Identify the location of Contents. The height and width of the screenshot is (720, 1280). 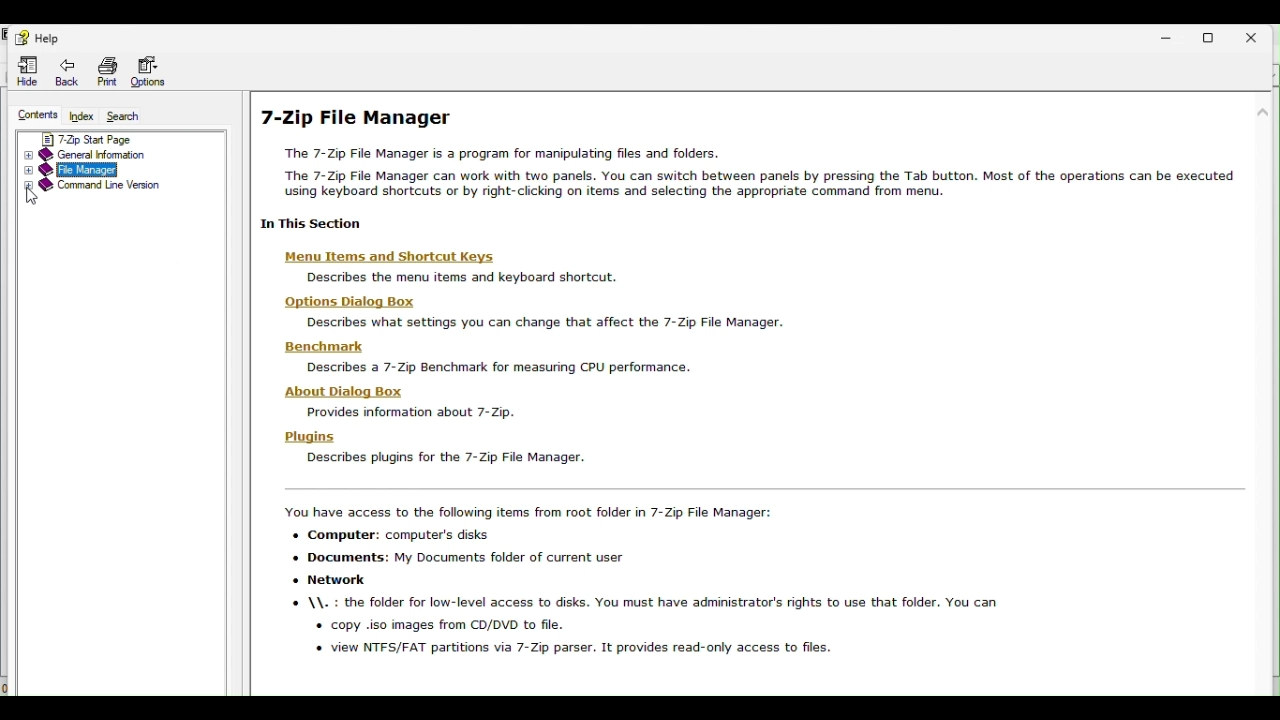
(38, 116).